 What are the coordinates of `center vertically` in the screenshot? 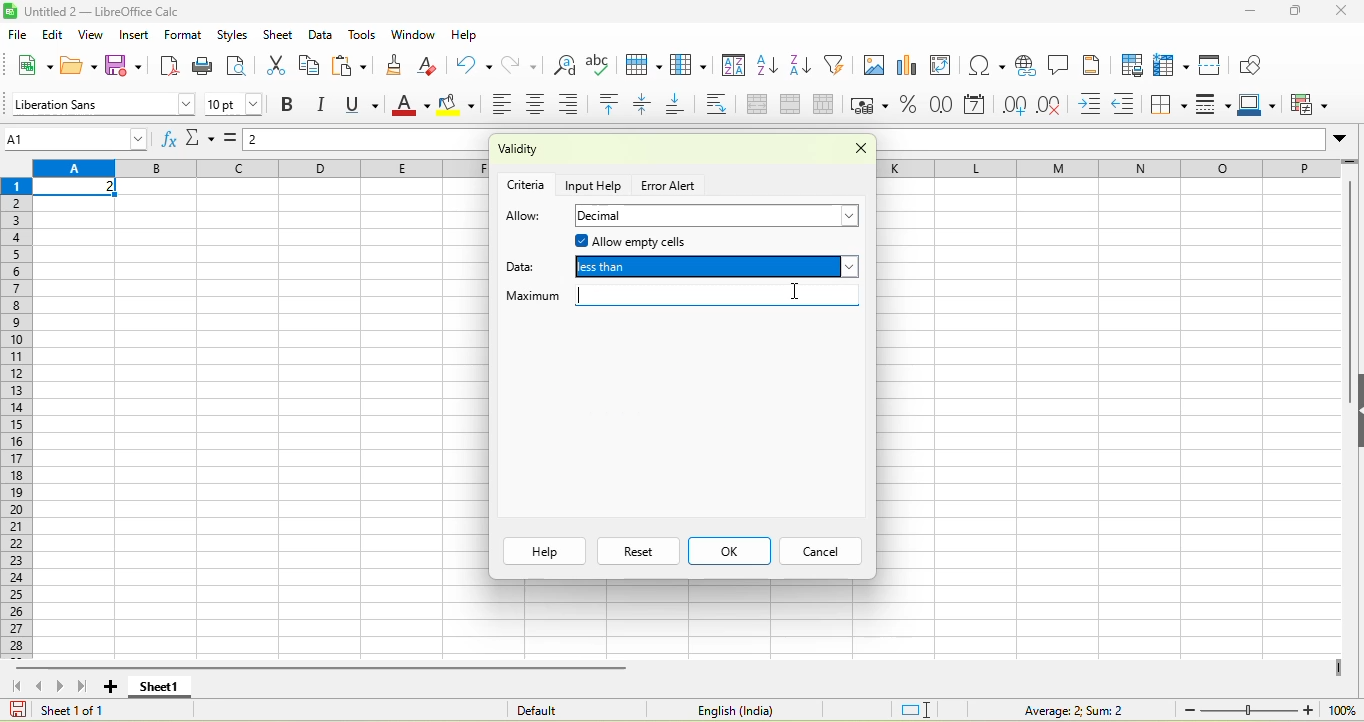 It's located at (648, 105).